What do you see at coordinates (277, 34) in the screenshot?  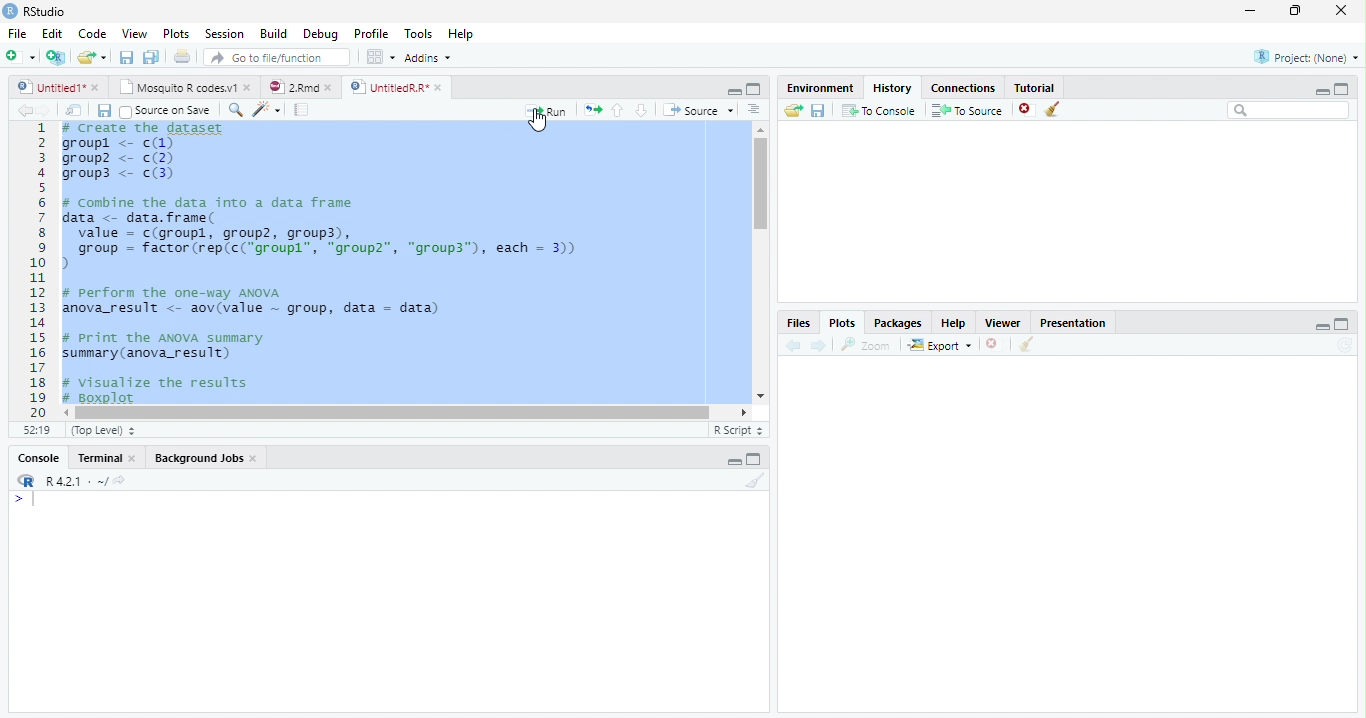 I see `Build` at bounding box center [277, 34].